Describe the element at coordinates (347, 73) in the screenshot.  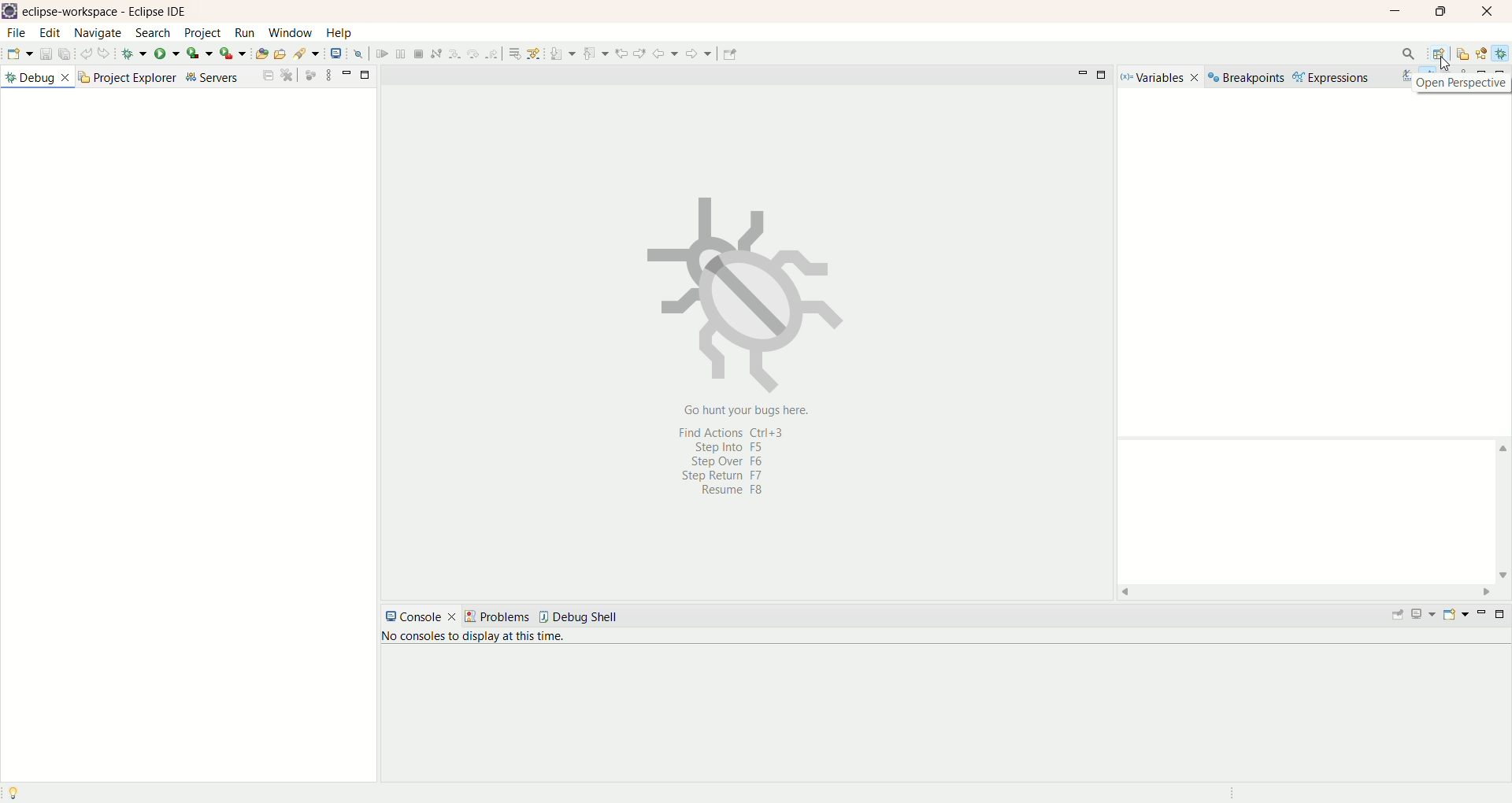
I see `minimize` at that location.